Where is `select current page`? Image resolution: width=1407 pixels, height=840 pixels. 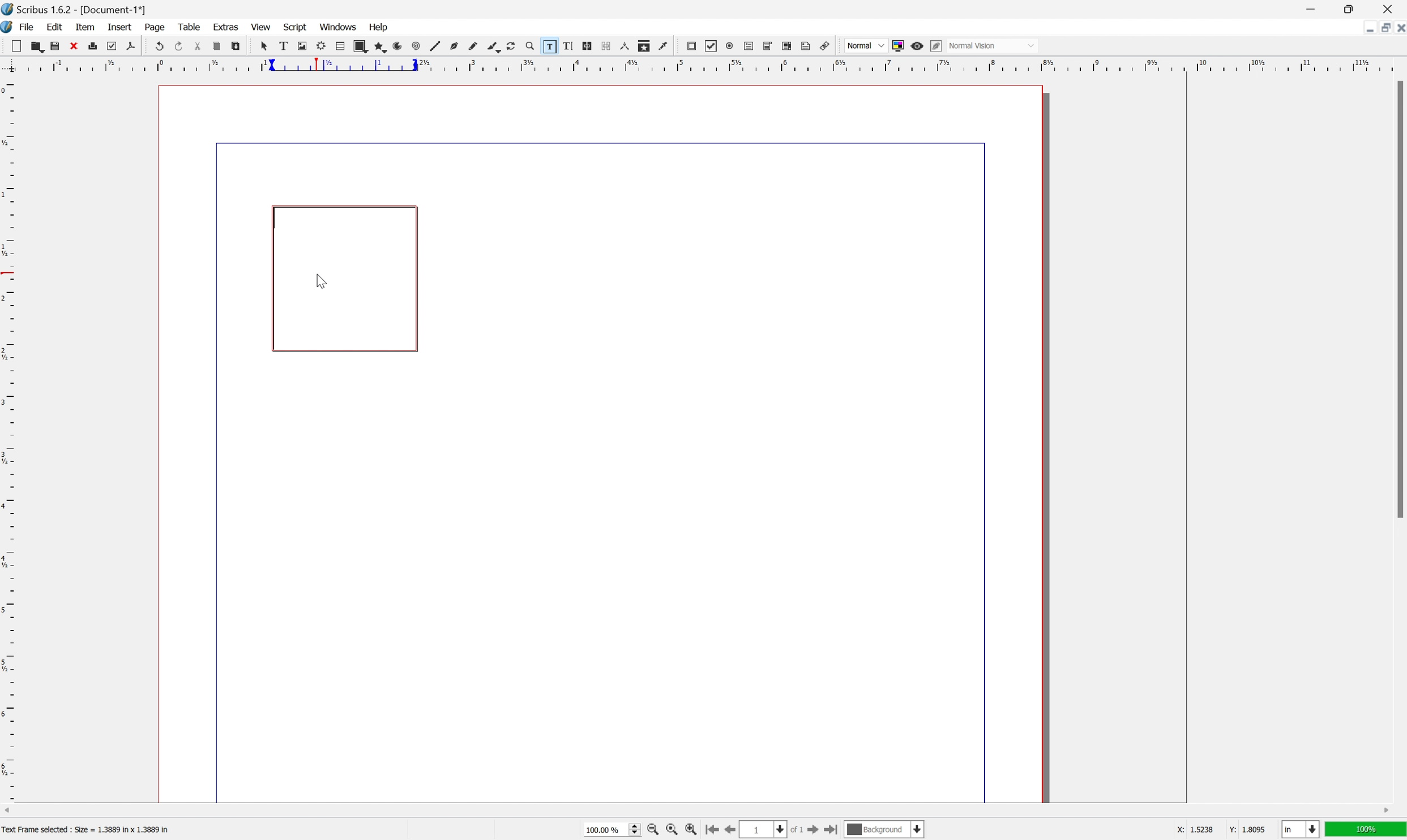 select current page is located at coordinates (774, 830).